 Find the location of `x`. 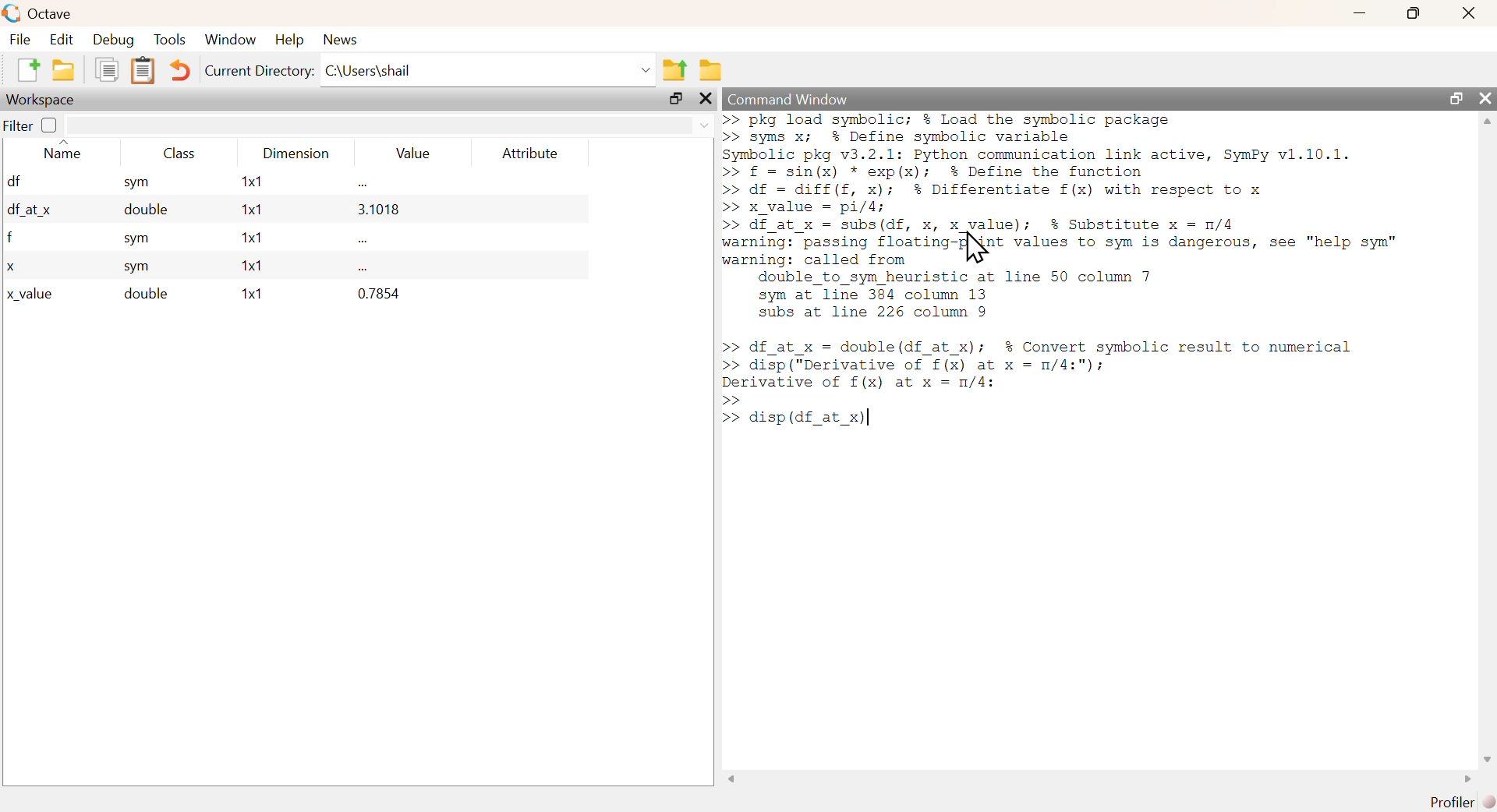

x is located at coordinates (11, 267).